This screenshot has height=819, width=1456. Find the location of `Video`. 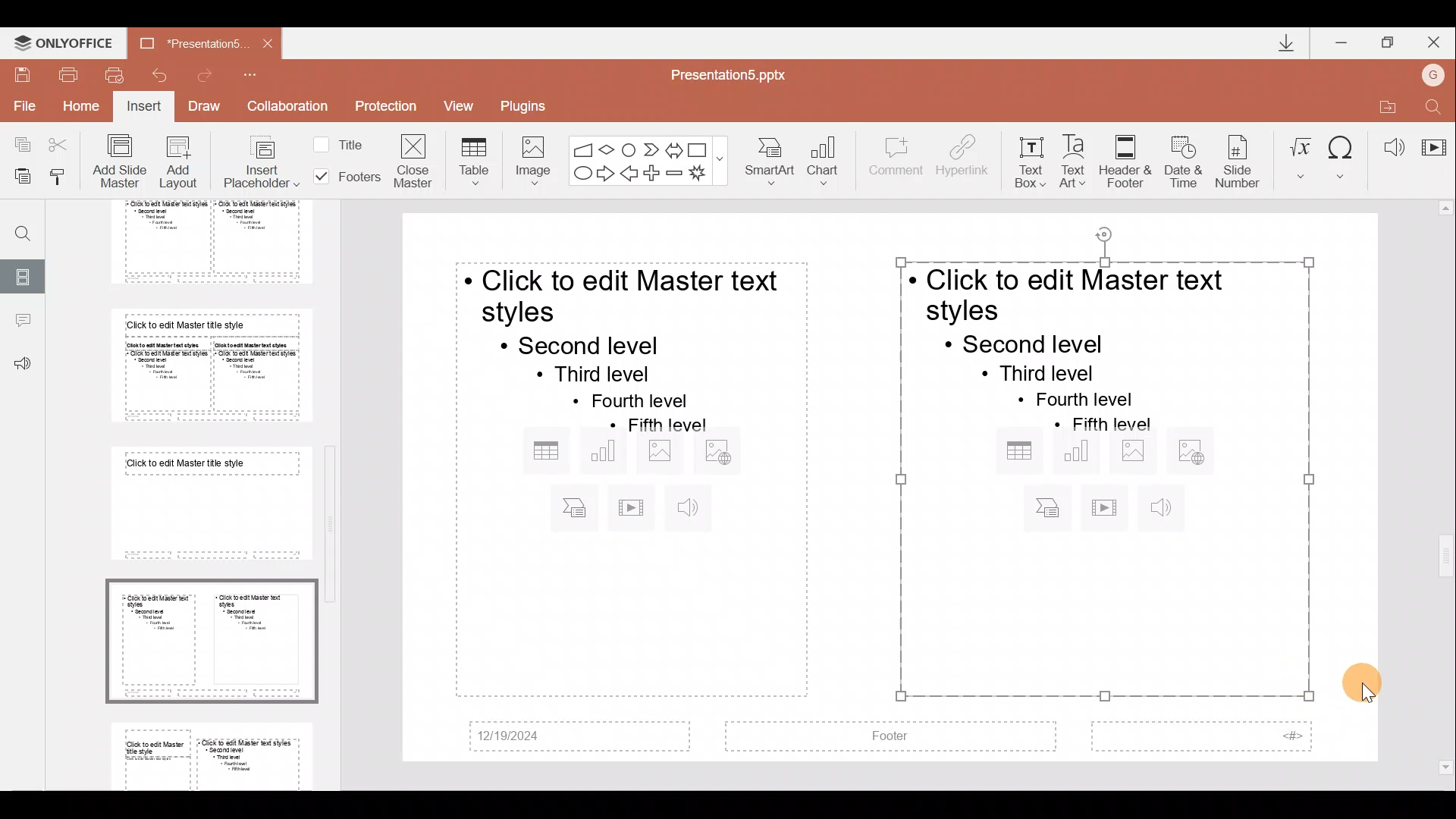

Video is located at coordinates (1433, 140).